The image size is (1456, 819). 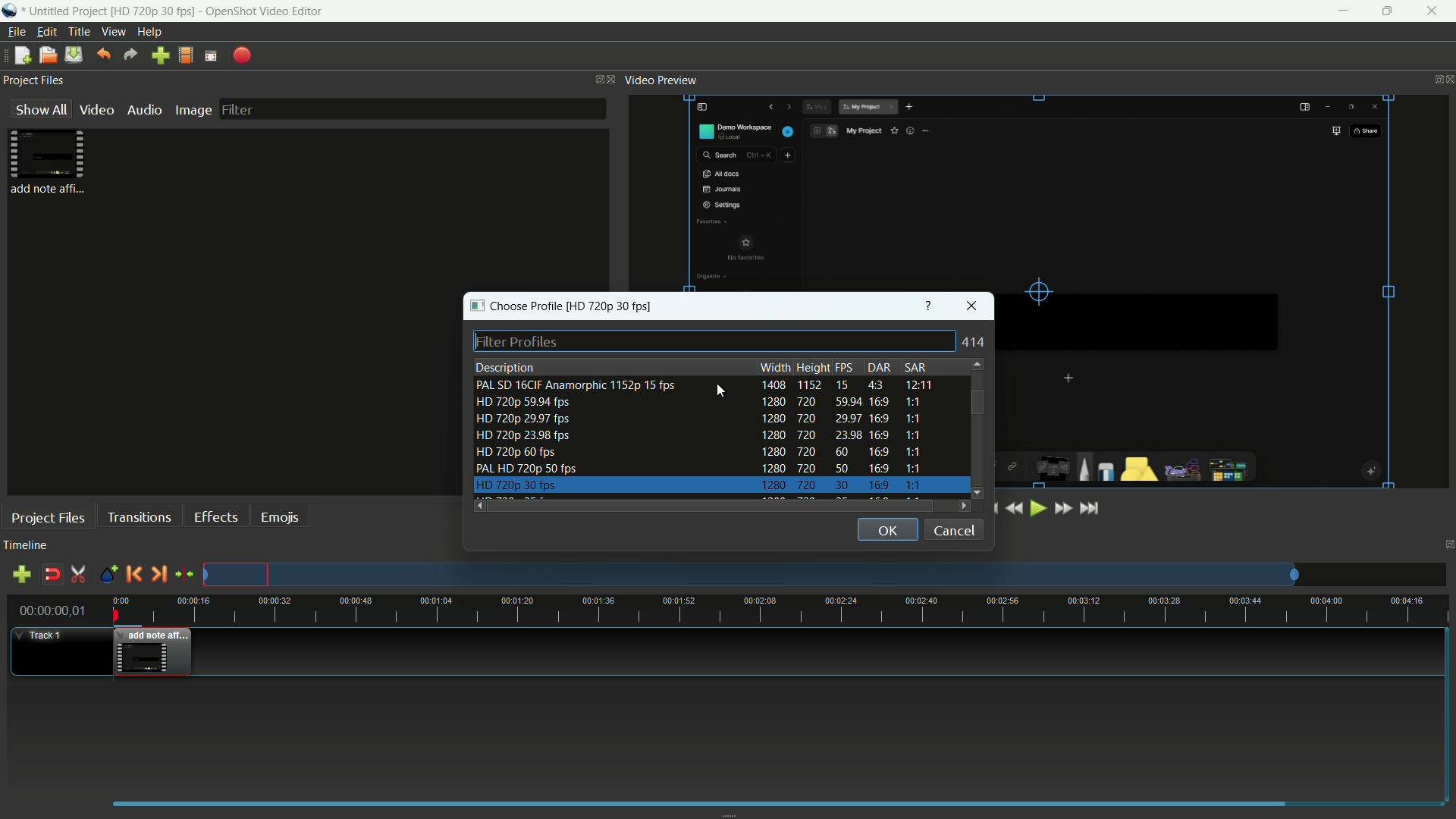 I want to click on fast forward, so click(x=1062, y=508).